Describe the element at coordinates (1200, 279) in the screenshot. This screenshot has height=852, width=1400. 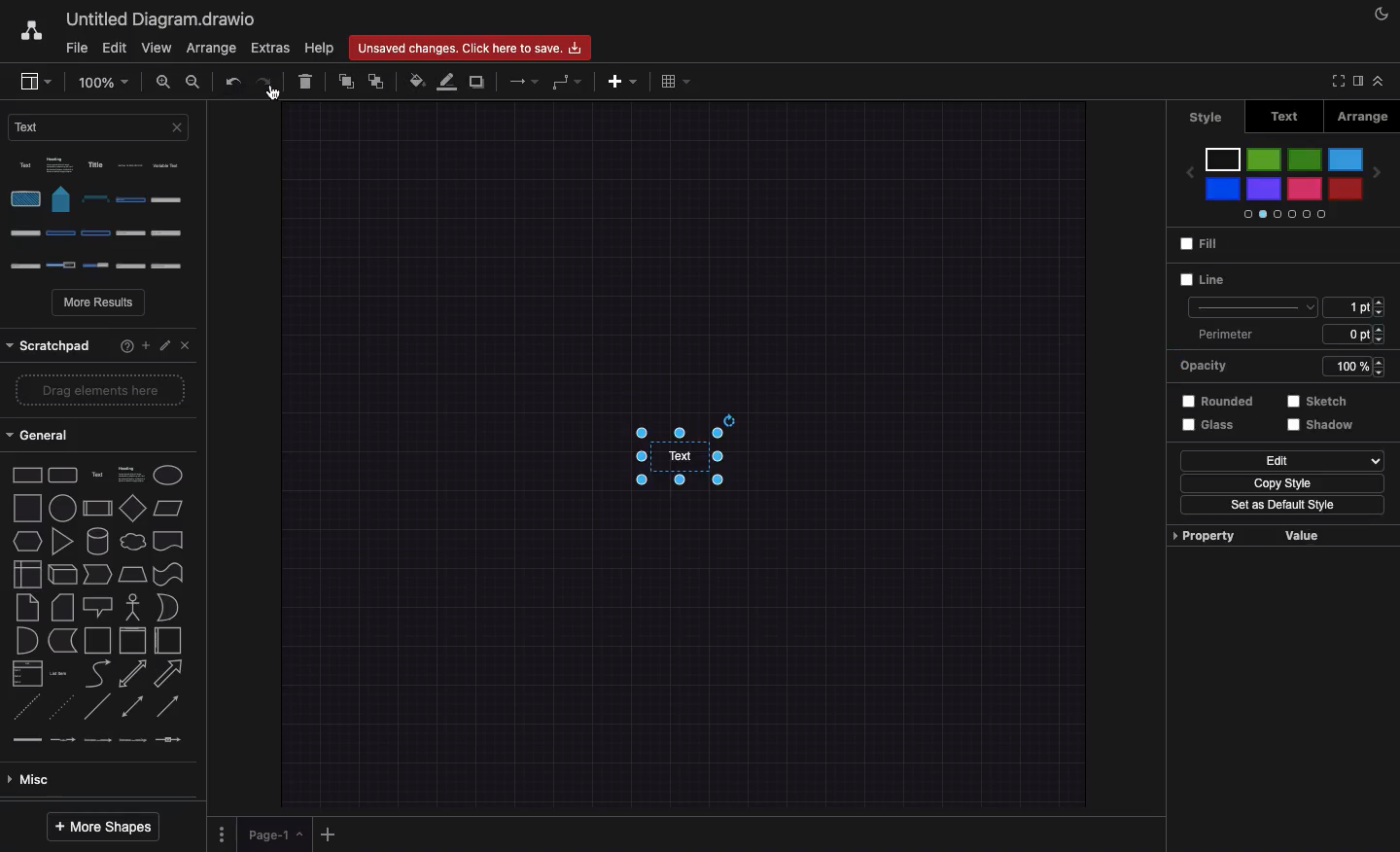
I see `Line` at that location.